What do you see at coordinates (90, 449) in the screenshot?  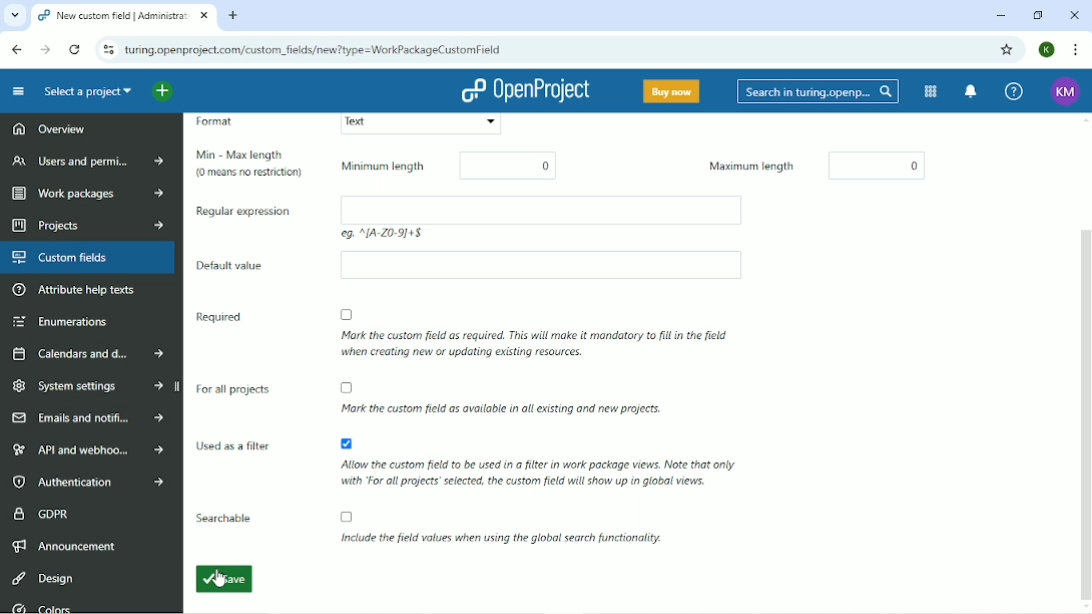 I see `API and webhooks` at bounding box center [90, 449].